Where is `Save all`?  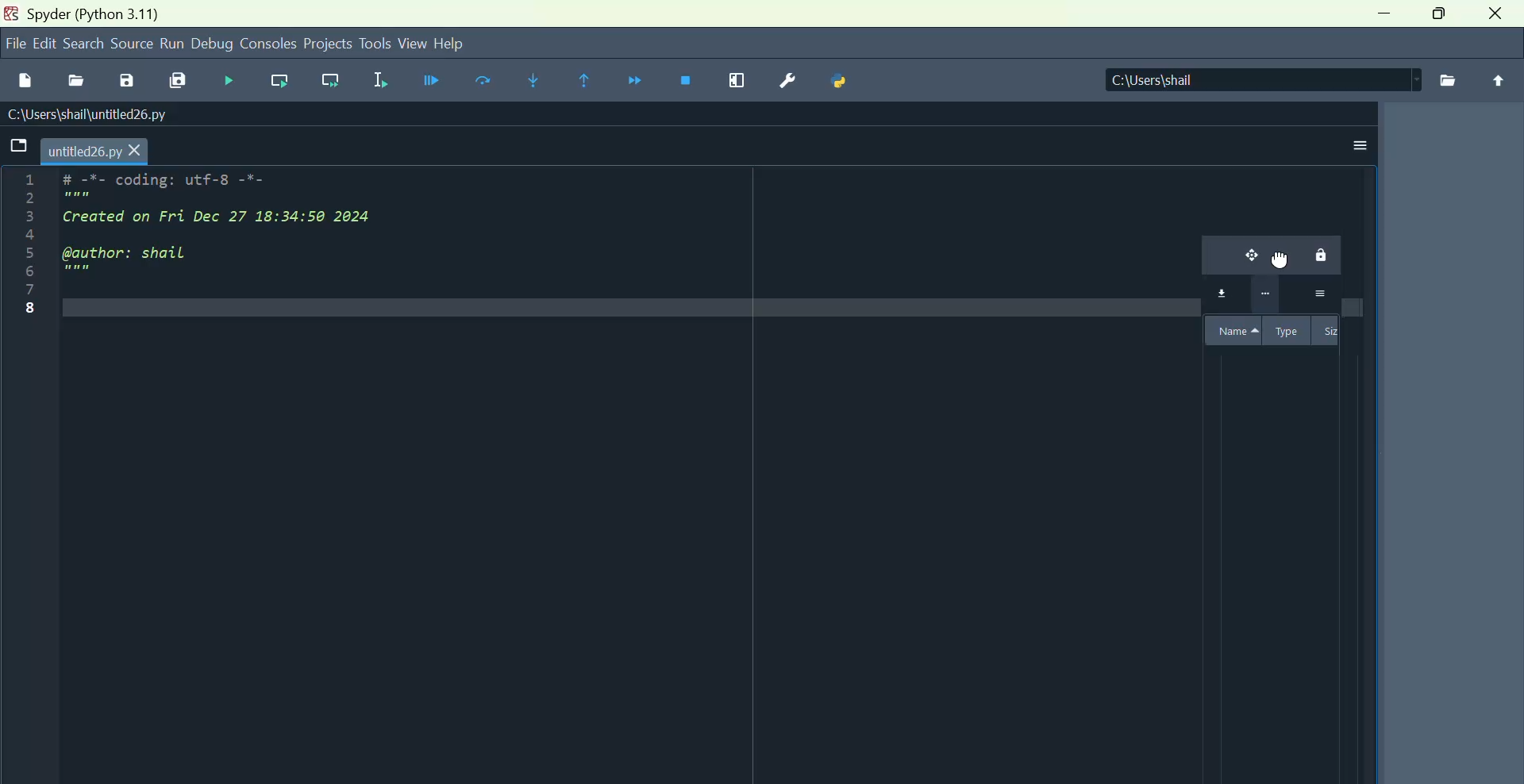 Save all is located at coordinates (179, 81).